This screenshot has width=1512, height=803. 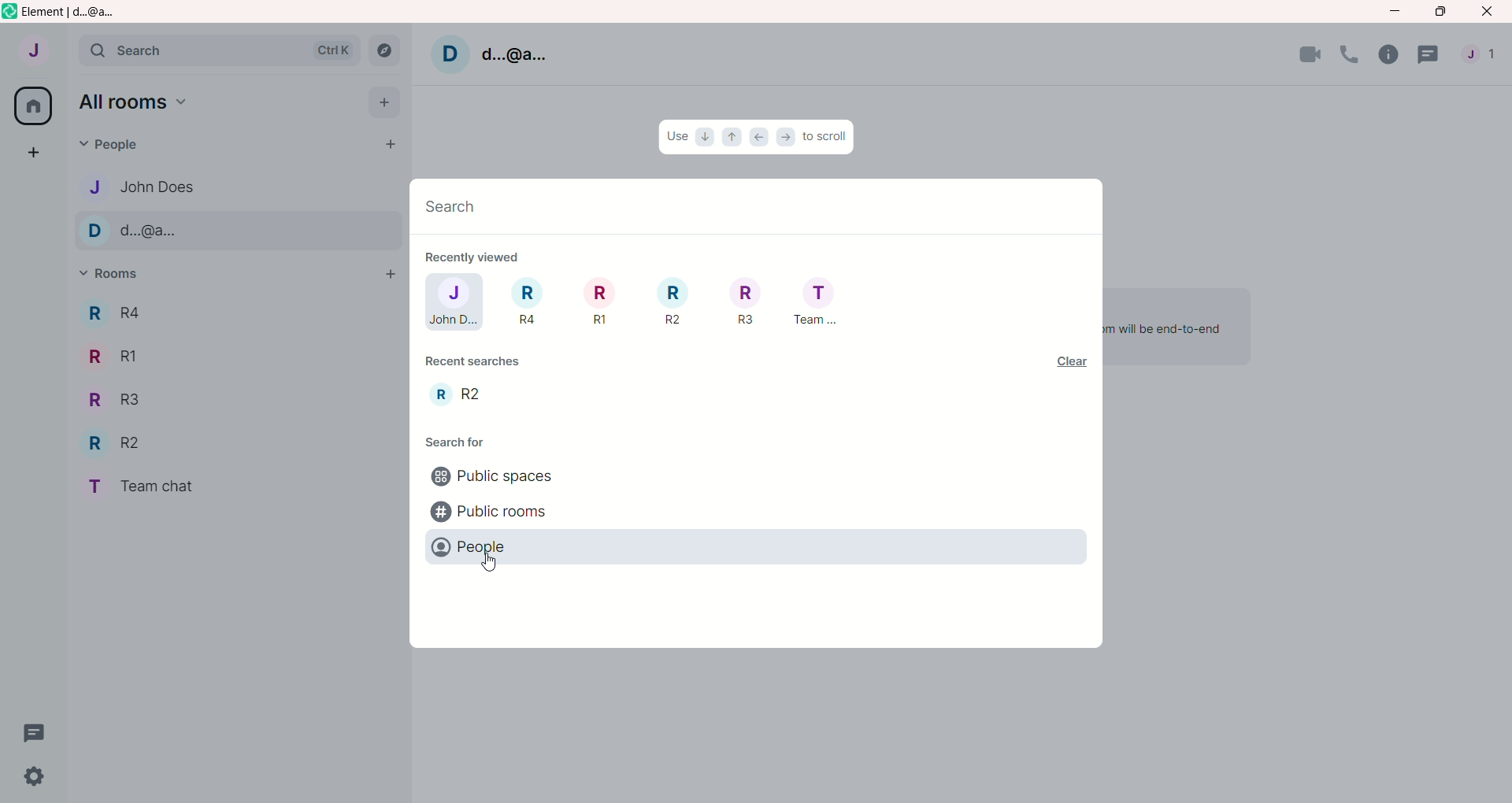 What do you see at coordinates (1392, 56) in the screenshot?
I see `room info` at bounding box center [1392, 56].